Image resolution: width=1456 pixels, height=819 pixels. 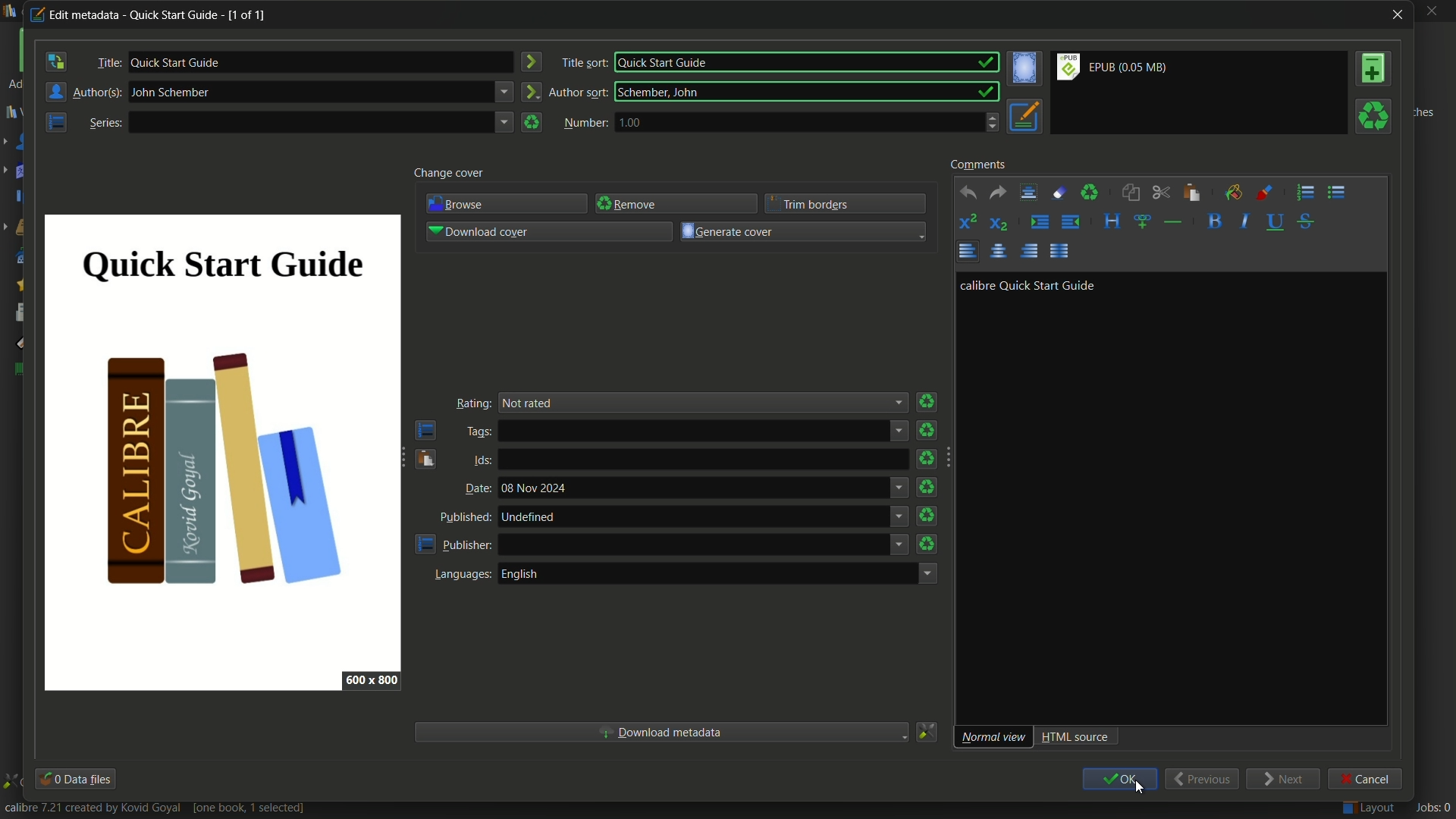 What do you see at coordinates (481, 233) in the screenshot?
I see `download cover` at bounding box center [481, 233].